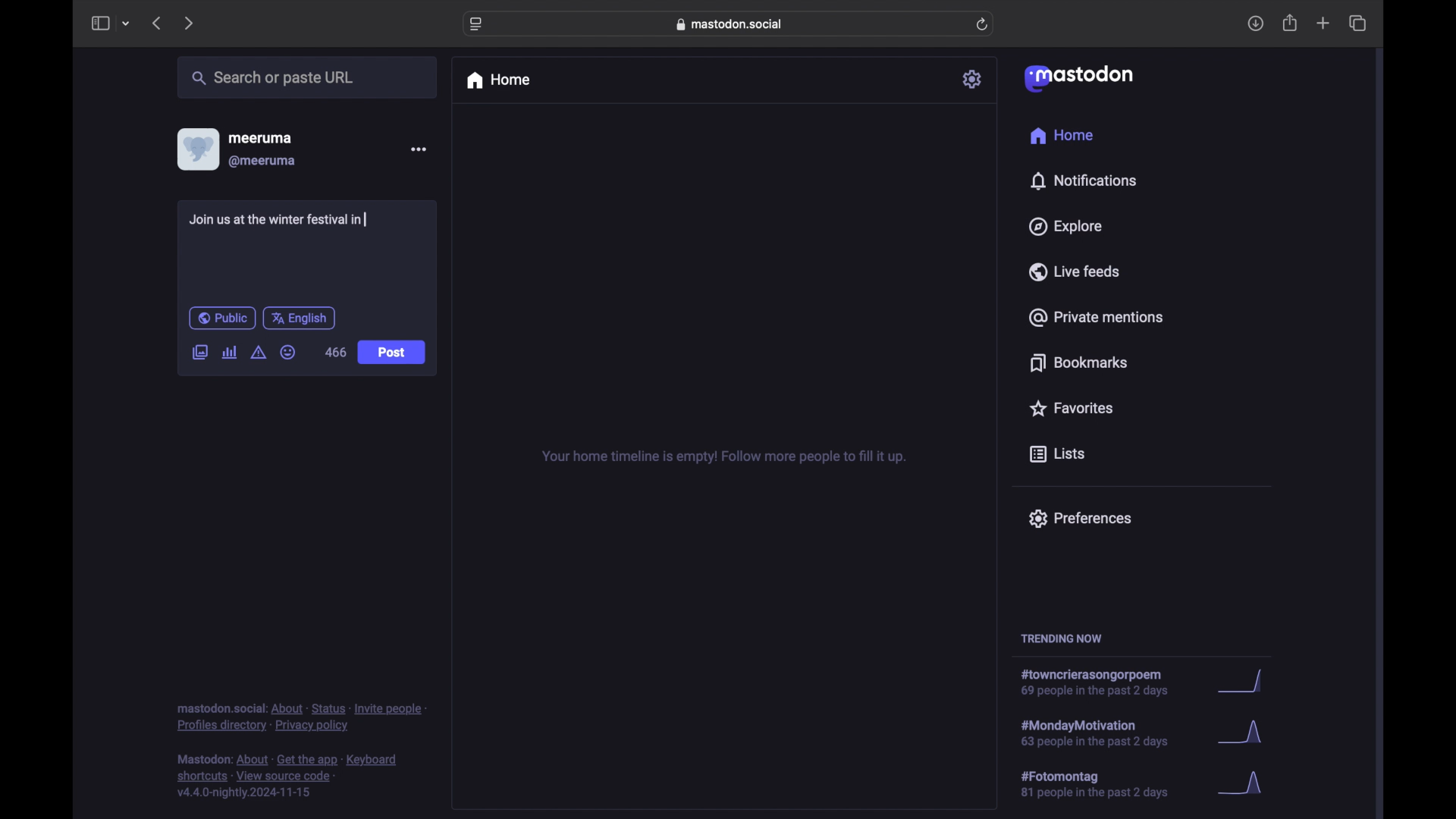 This screenshot has width=1456, height=819. Describe the element at coordinates (156, 23) in the screenshot. I see `previous` at that location.